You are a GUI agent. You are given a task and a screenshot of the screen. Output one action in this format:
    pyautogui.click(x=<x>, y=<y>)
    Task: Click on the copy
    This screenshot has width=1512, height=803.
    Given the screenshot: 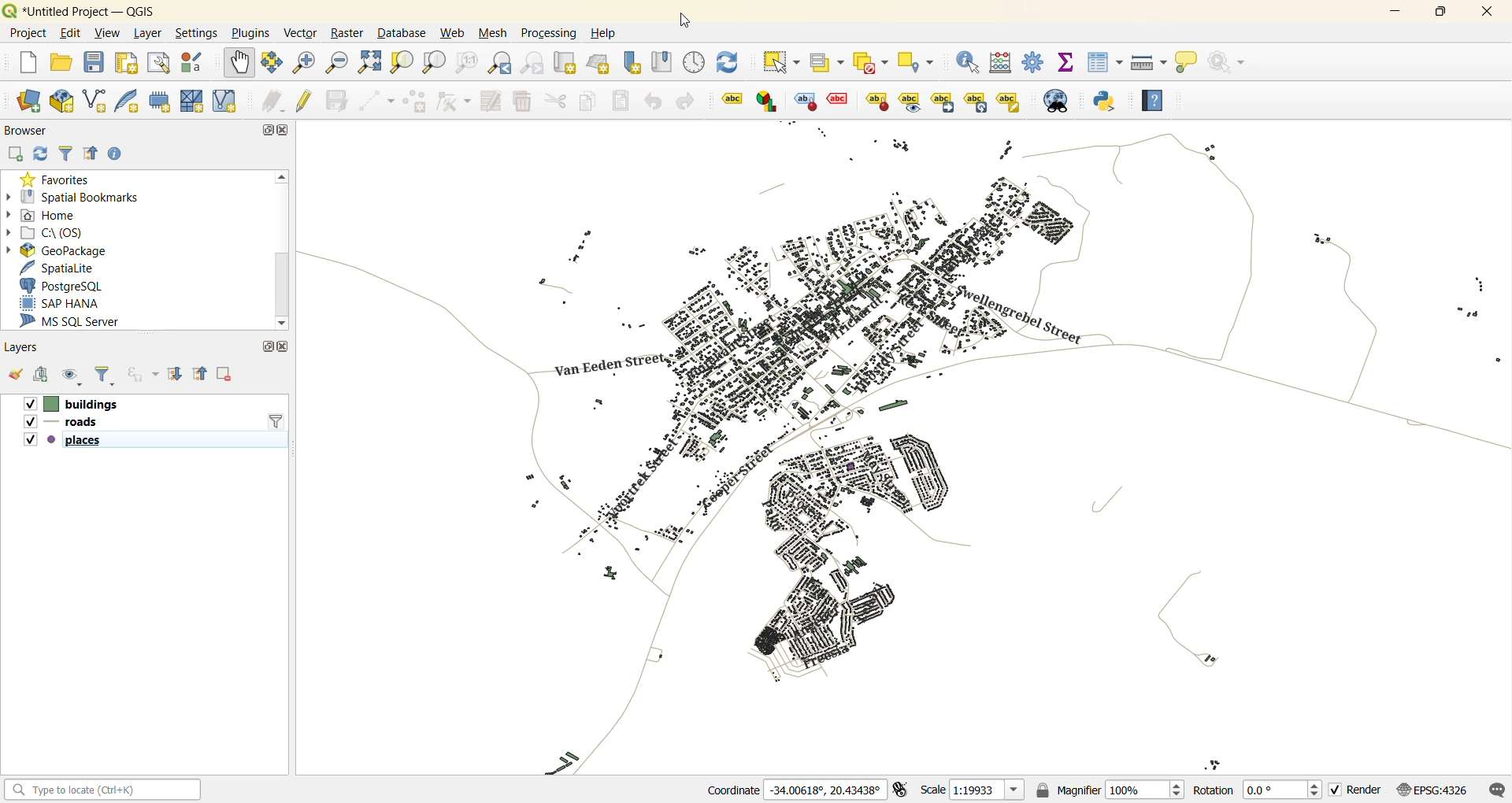 What is the action you would take?
    pyautogui.click(x=586, y=101)
    